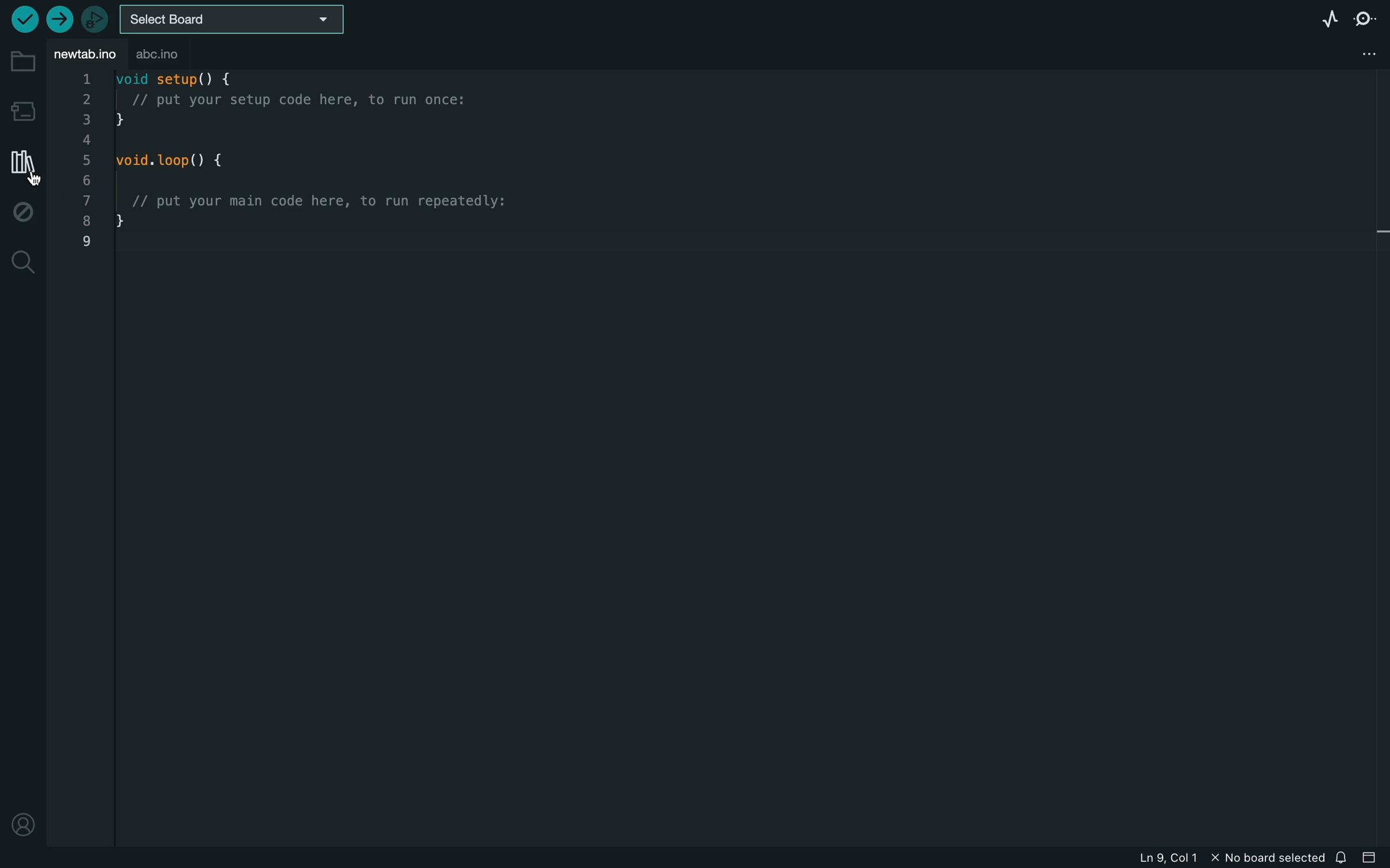  What do you see at coordinates (1366, 52) in the screenshot?
I see `files setting` at bounding box center [1366, 52].